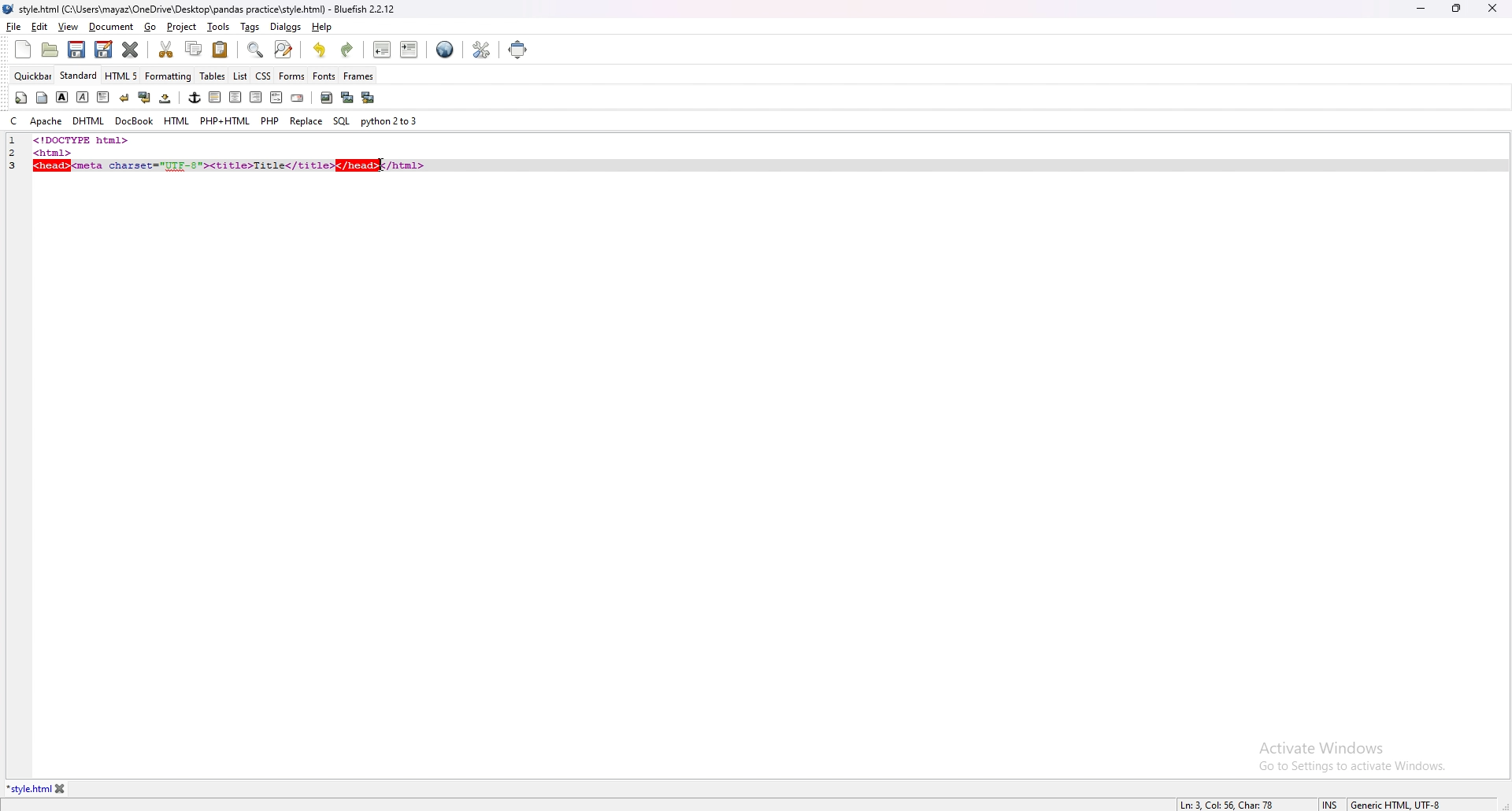 This screenshot has width=1512, height=811. Describe the element at coordinates (358, 76) in the screenshot. I see `frames` at that location.